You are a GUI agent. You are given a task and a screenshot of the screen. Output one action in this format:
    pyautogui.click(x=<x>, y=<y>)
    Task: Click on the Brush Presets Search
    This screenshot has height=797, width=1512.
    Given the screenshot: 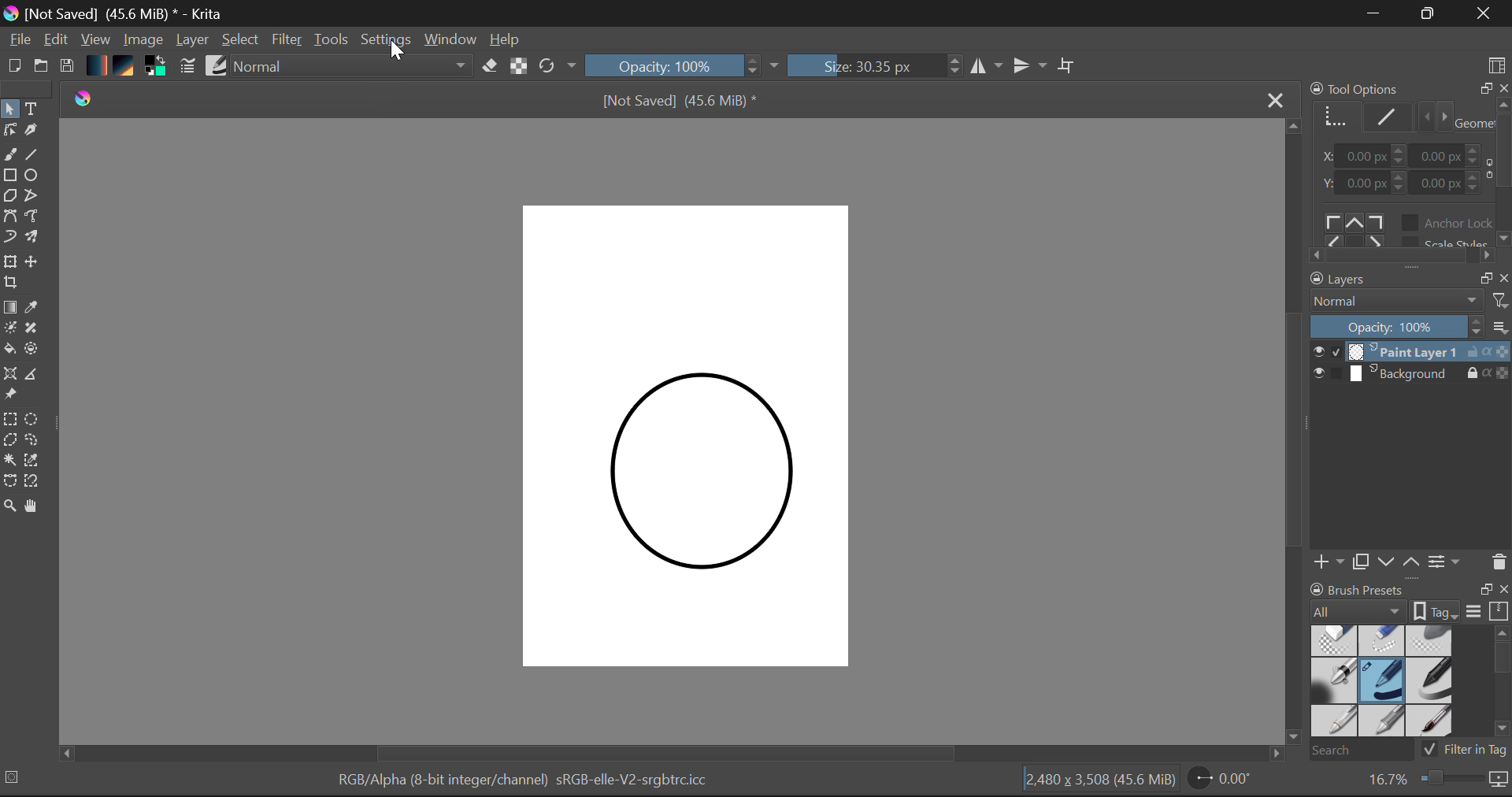 What is the action you would take?
    pyautogui.click(x=1407, y=749)
    